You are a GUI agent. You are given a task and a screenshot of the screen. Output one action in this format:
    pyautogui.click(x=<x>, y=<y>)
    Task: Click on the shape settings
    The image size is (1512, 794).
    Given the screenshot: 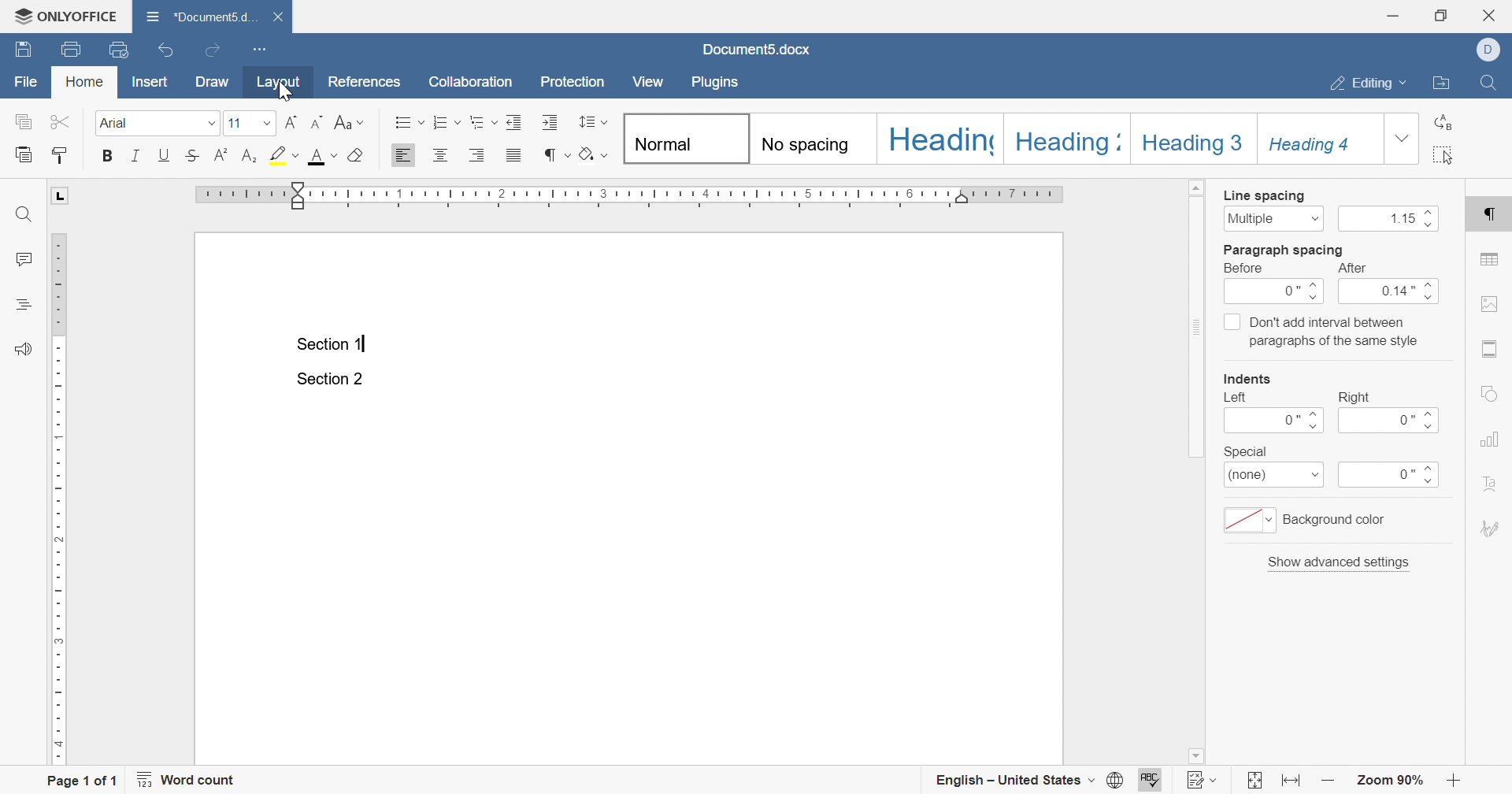 What is the action you would take?
    pyautogui.click(x=1488, y=393)
    